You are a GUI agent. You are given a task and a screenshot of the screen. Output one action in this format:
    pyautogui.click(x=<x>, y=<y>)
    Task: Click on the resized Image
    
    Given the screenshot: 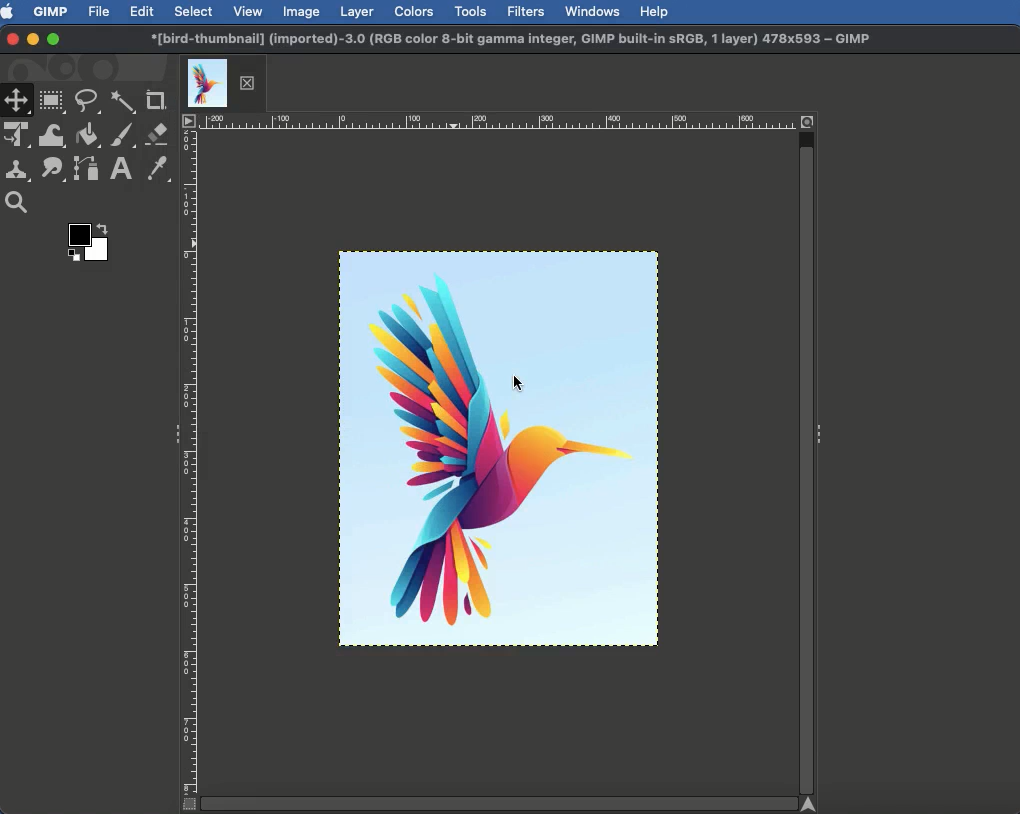 What is the action you would take?
    pyautogui.click(x=500, y=448)
    